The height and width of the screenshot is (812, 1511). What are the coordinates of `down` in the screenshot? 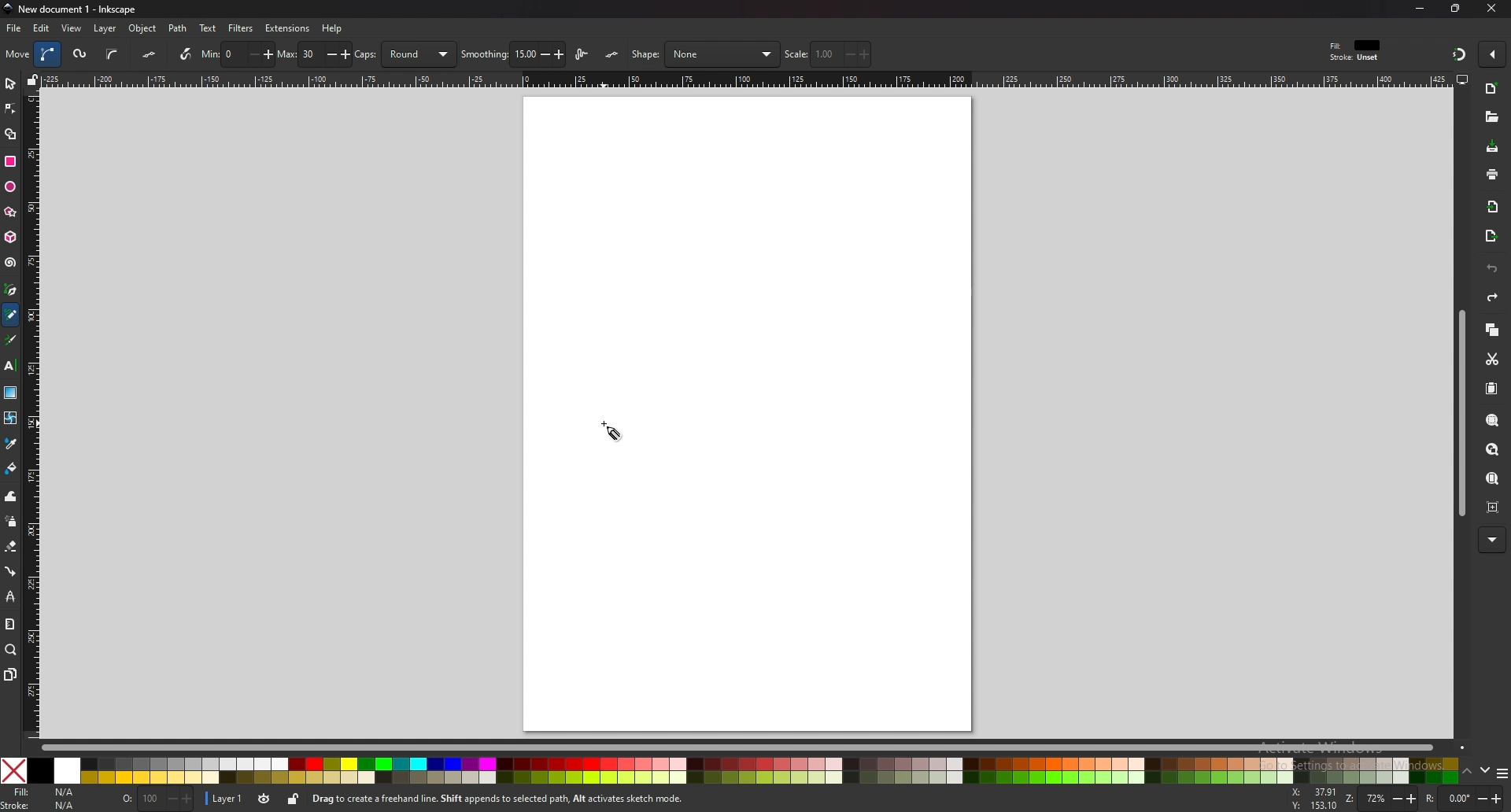 It's located at (1484, 770).